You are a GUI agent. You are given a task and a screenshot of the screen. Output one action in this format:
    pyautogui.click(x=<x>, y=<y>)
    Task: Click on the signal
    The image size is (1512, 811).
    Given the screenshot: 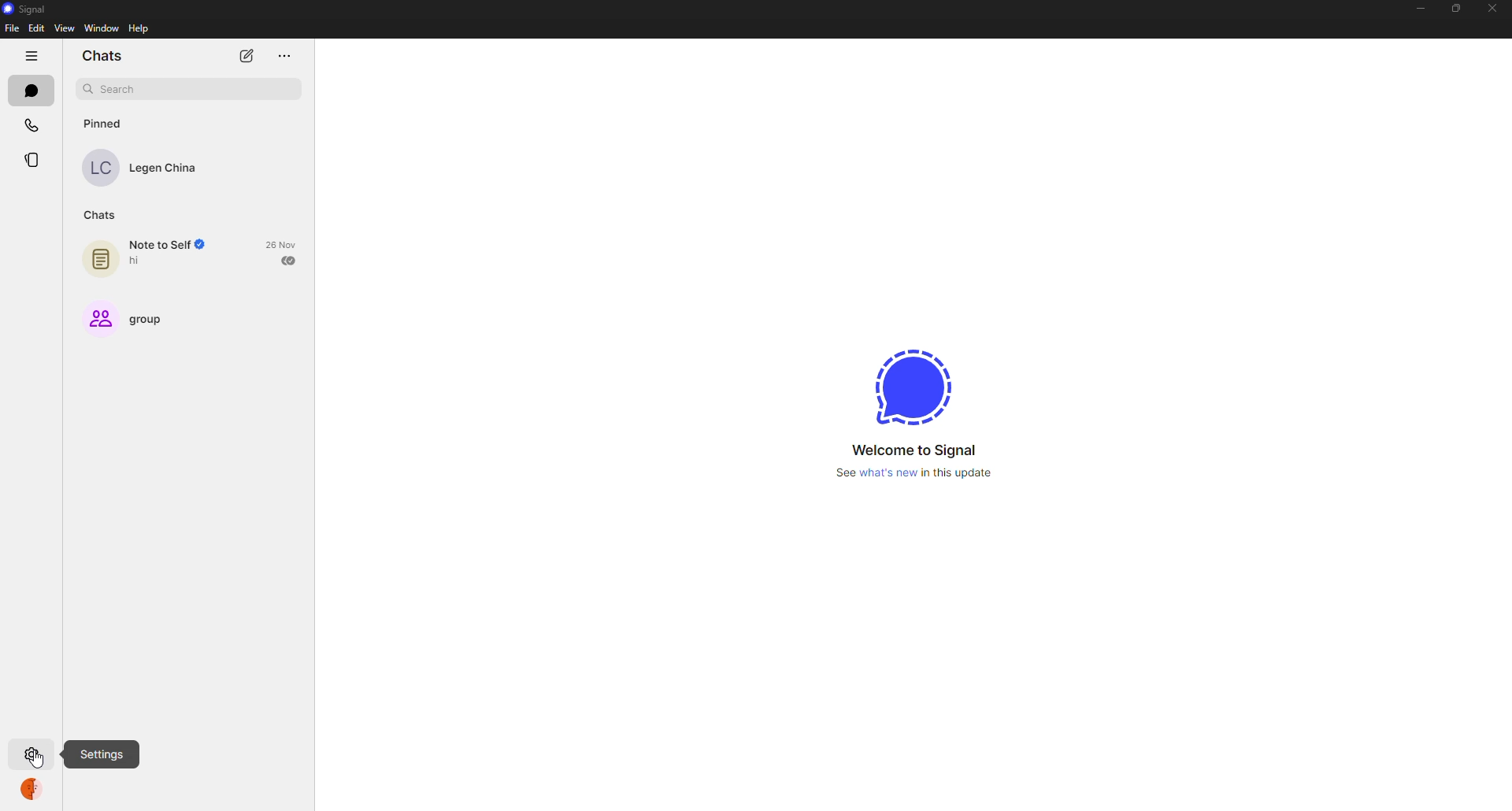 What is the action you would take?
    pyautogui.click(x=28, y=9)
    